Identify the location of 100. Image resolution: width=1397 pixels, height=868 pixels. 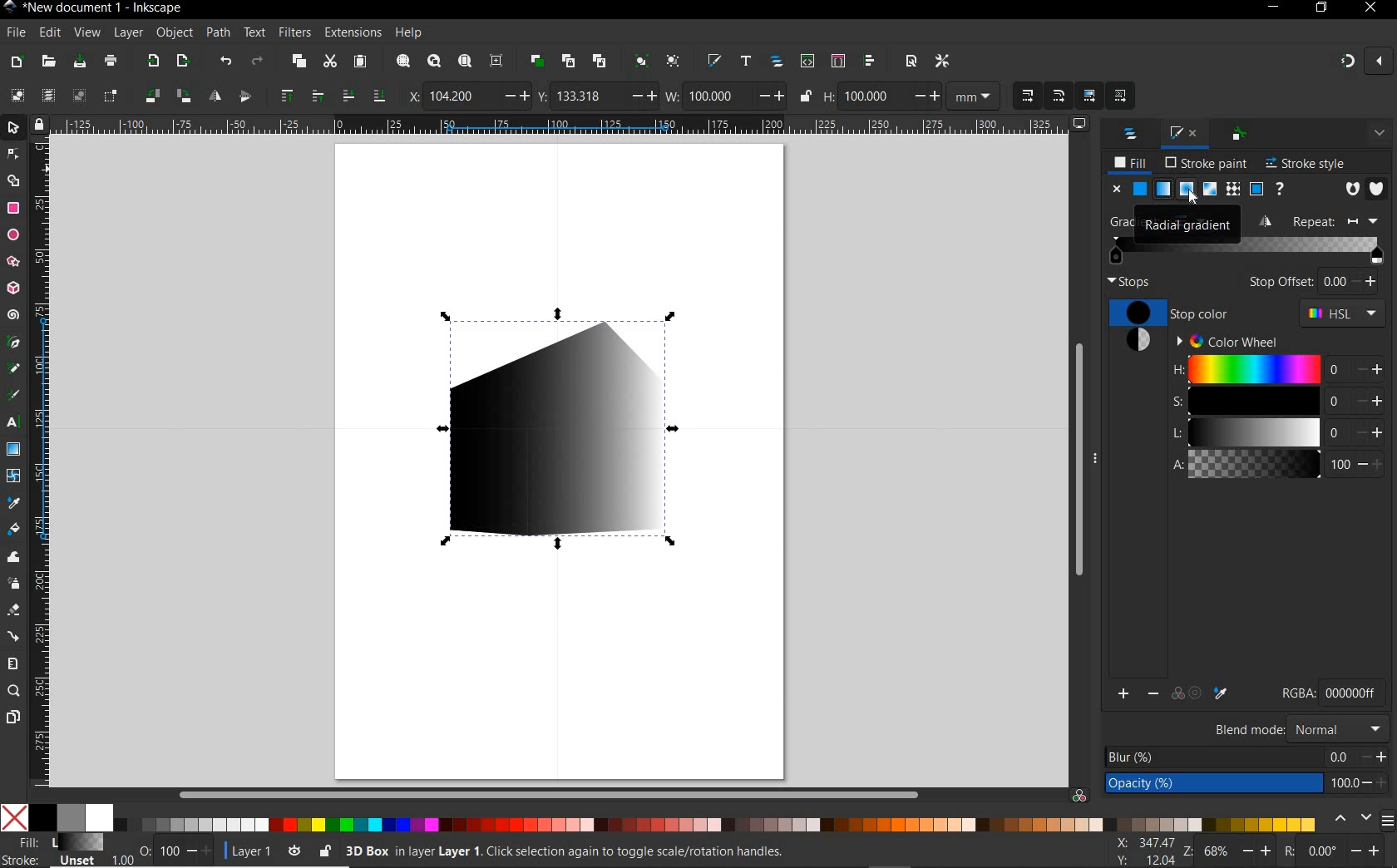
(870, 96).